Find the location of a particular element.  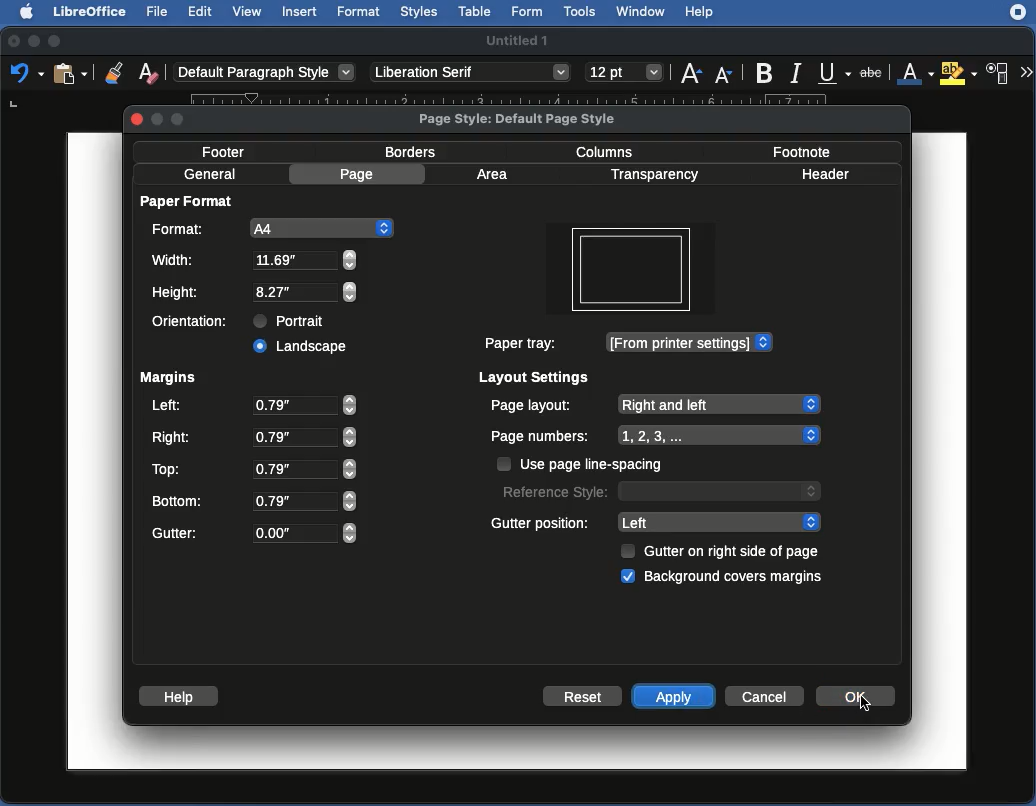

size is located at coordinates (623, 72).